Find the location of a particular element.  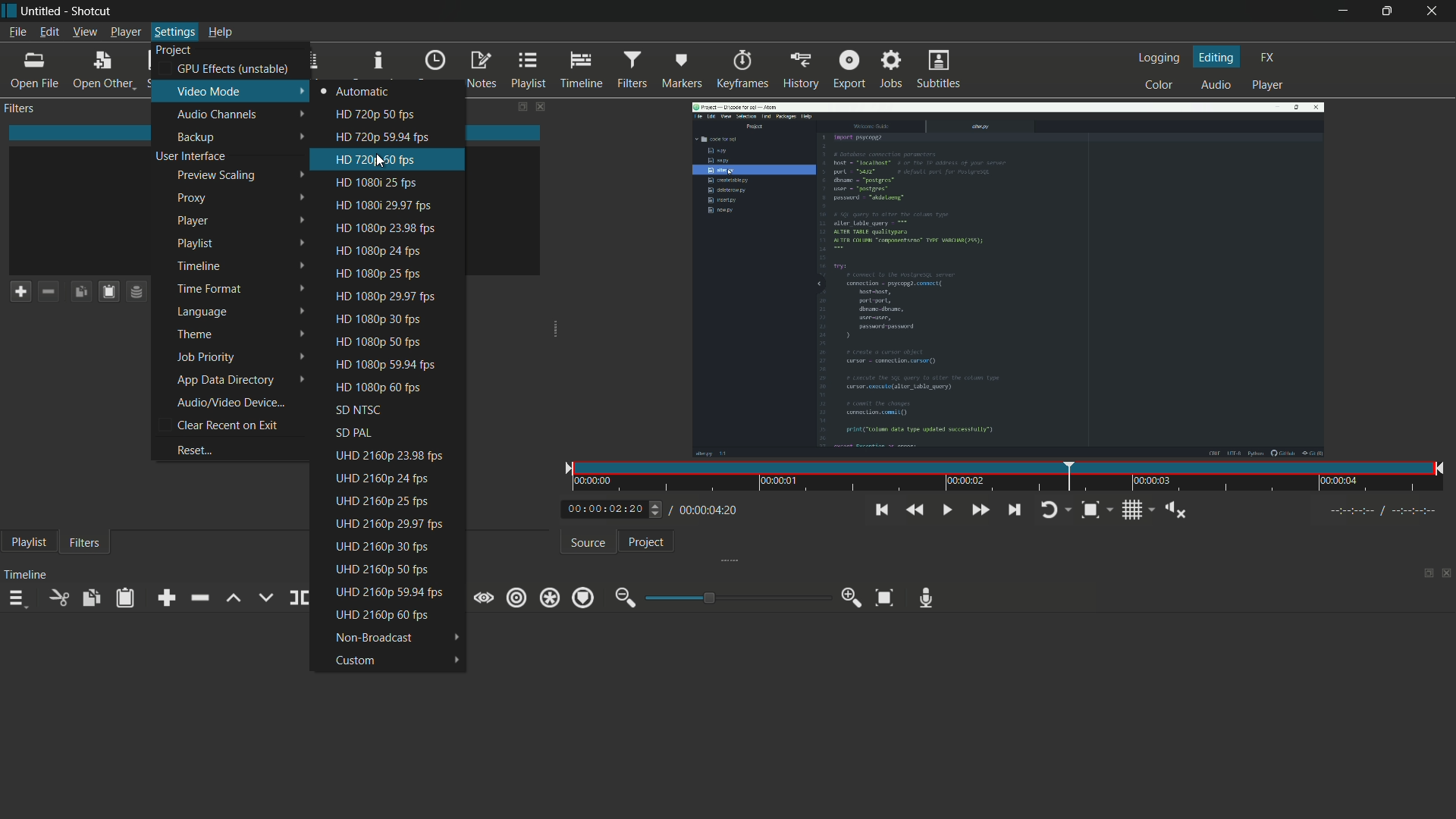

toggle player looping is located at coordinates (1055, 510).